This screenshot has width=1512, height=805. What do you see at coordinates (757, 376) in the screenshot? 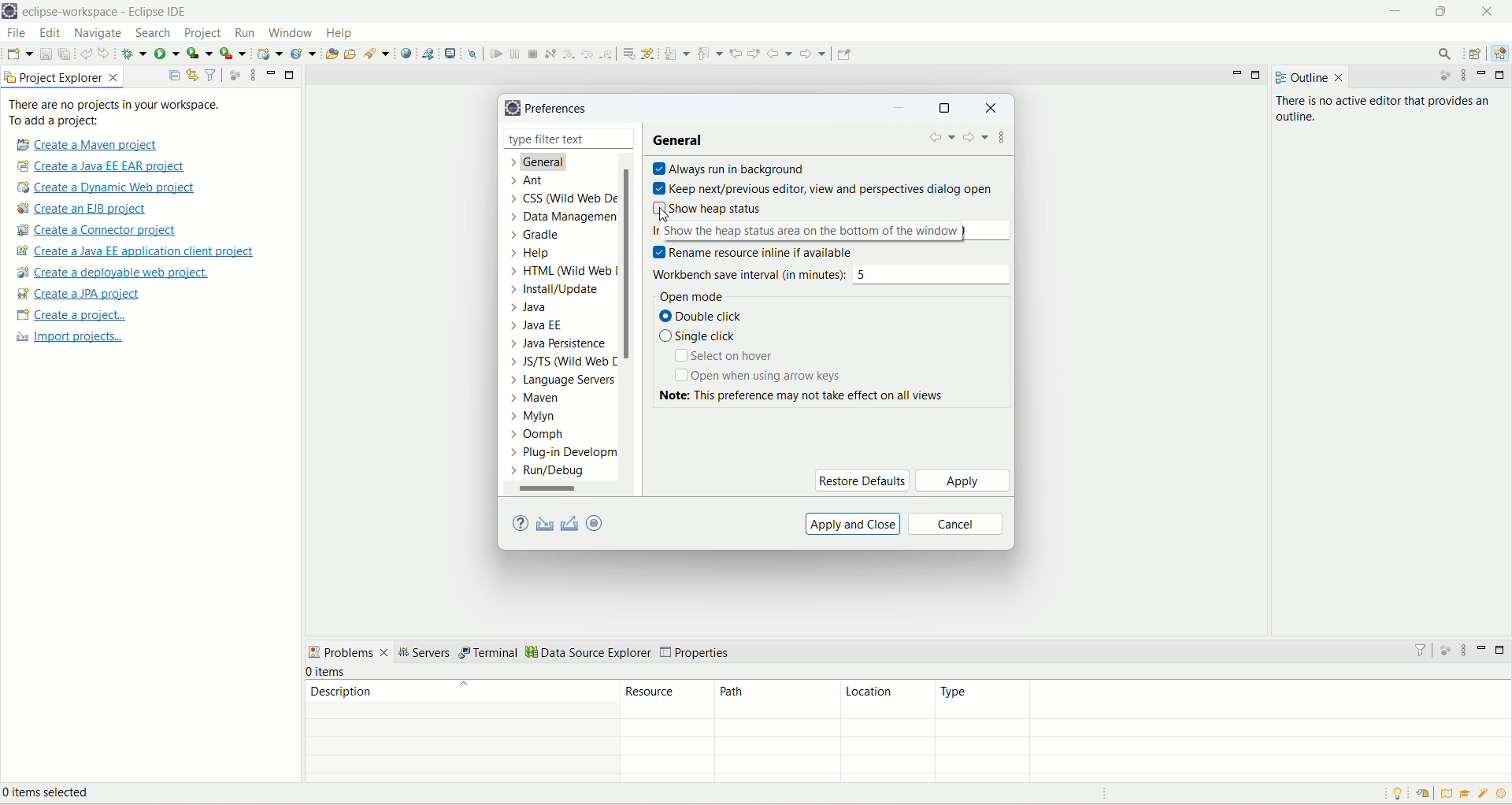
I see `open when using arrow keys` at bounding box center [757, 376].